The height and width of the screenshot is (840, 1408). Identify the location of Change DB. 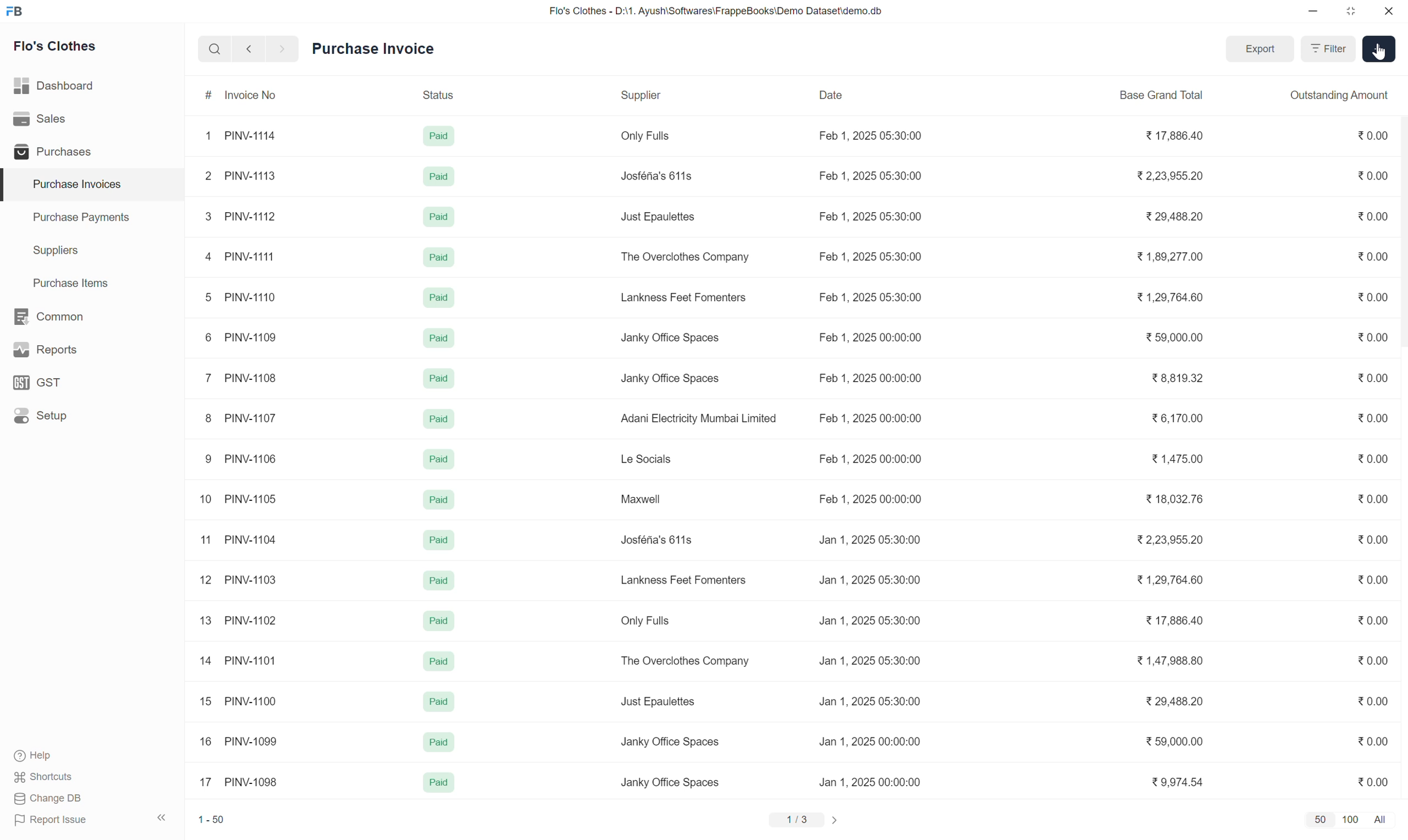
(49, 799).